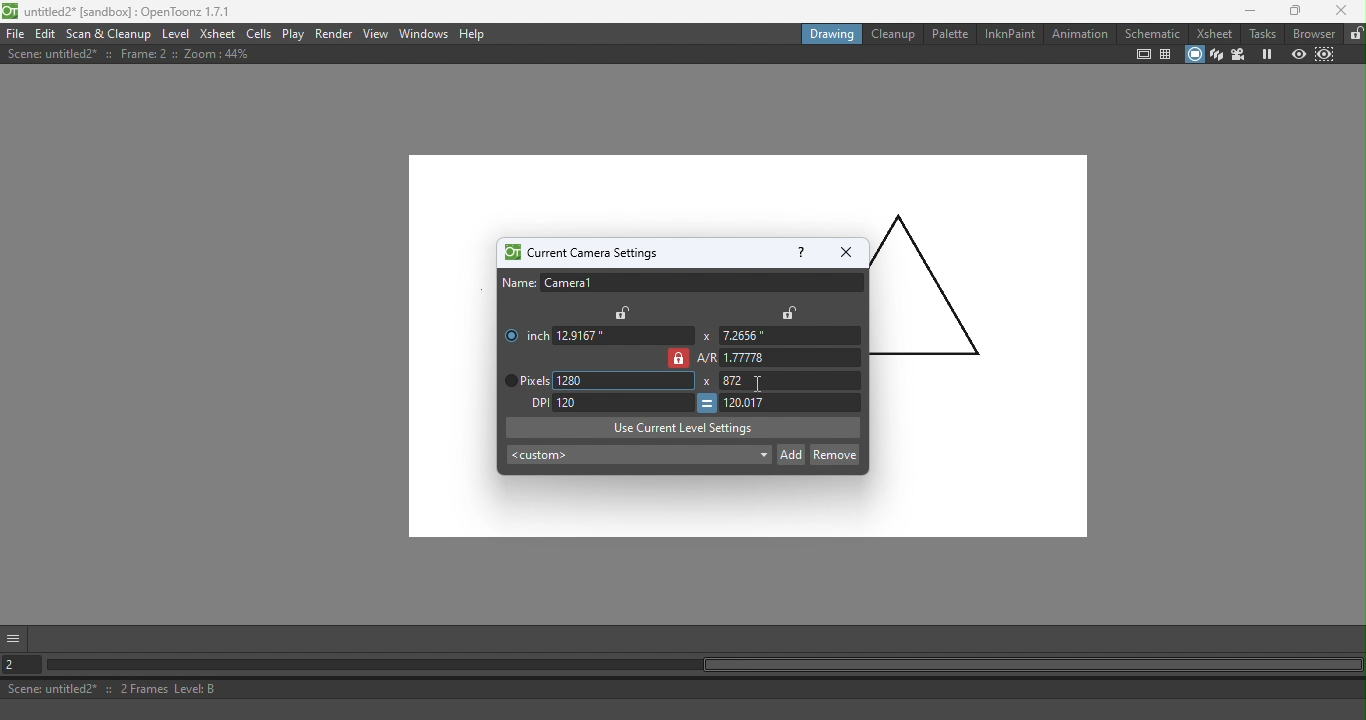  I want to click on canvas, so click(453, 356).